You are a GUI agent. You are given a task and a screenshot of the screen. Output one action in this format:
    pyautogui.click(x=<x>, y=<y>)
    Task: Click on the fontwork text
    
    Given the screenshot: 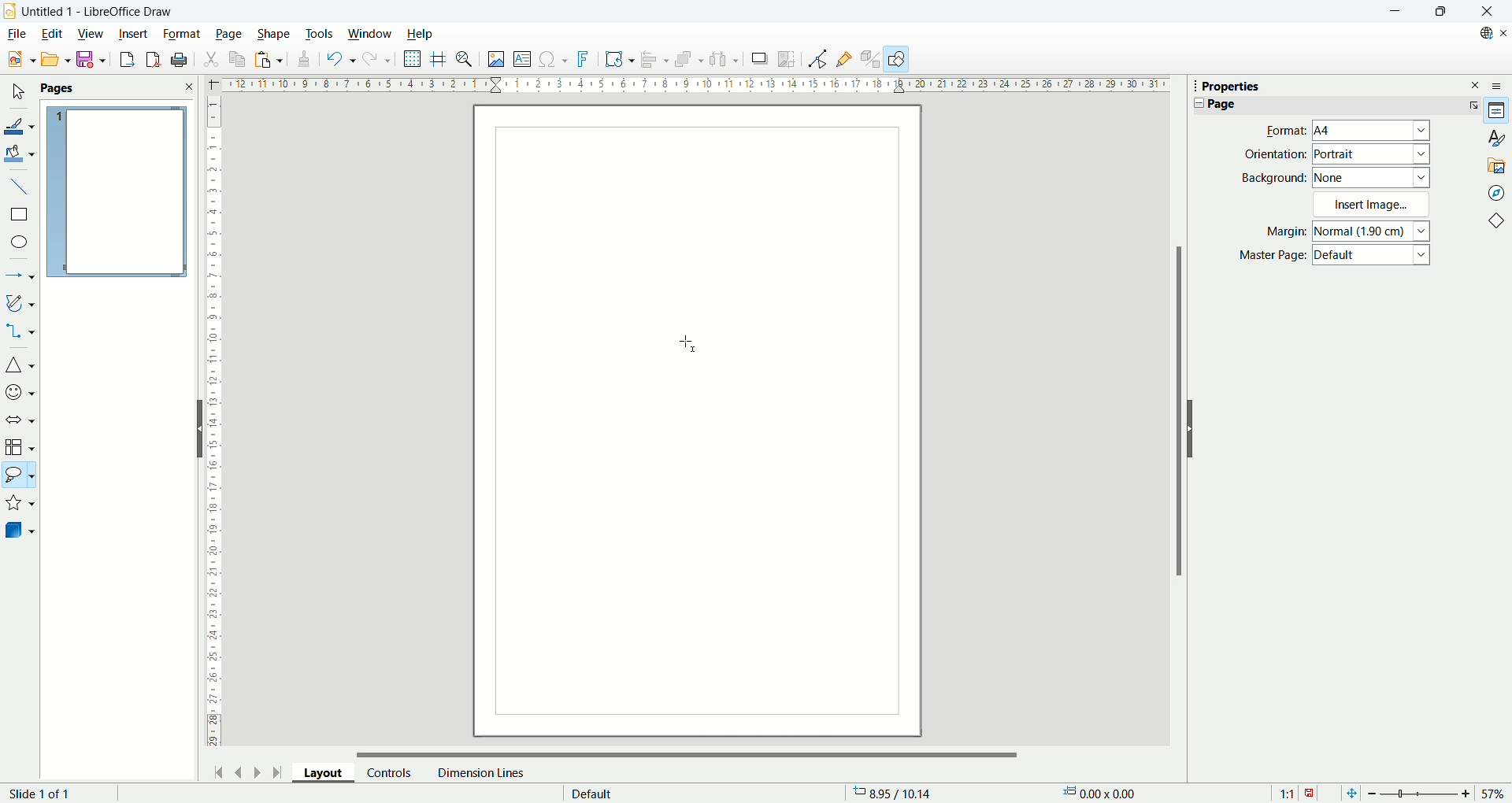 What is the action you would take?
    pyautogui.click(x=619, y=60)
    